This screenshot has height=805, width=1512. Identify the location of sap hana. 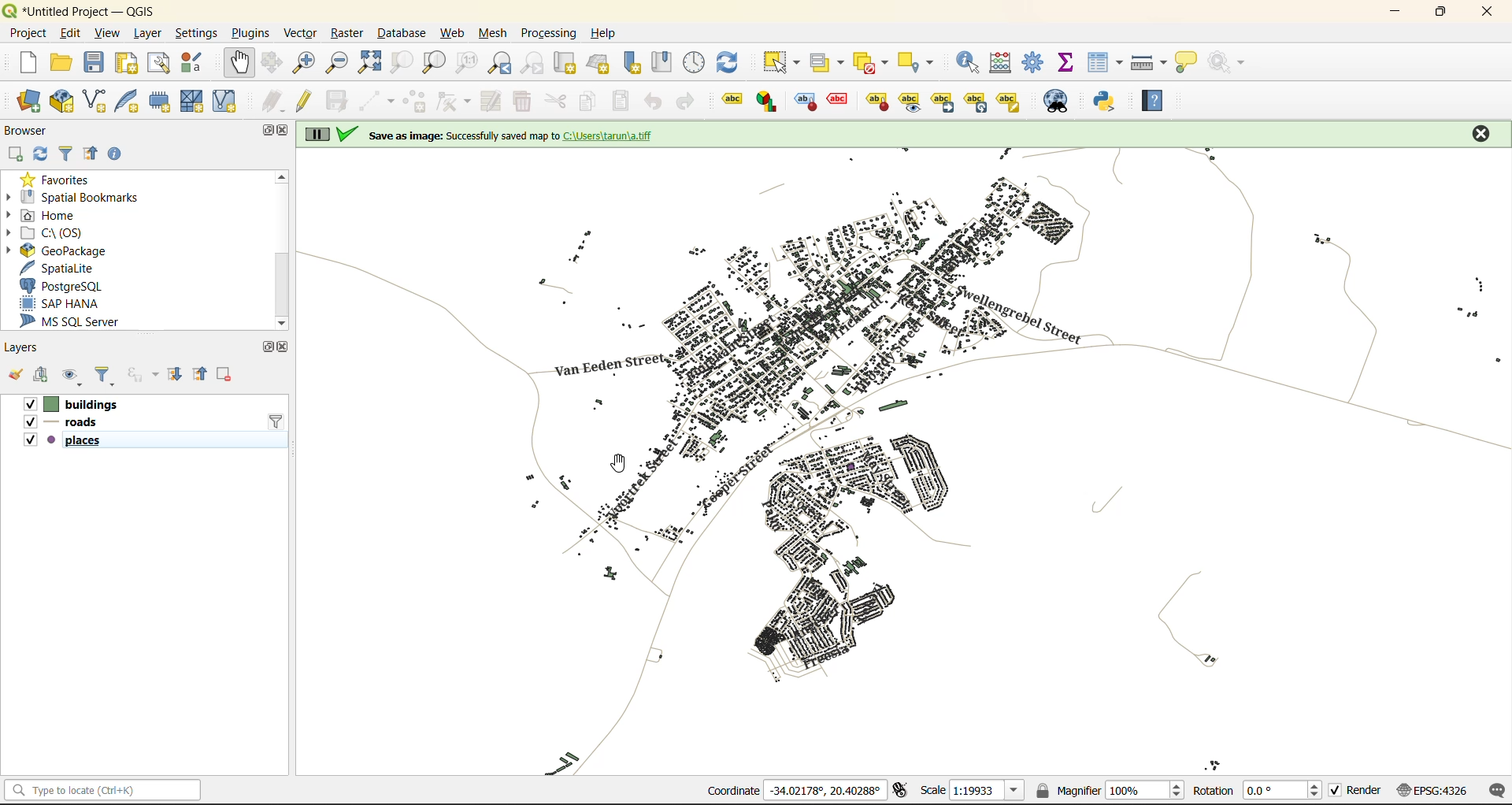
(61, 303).